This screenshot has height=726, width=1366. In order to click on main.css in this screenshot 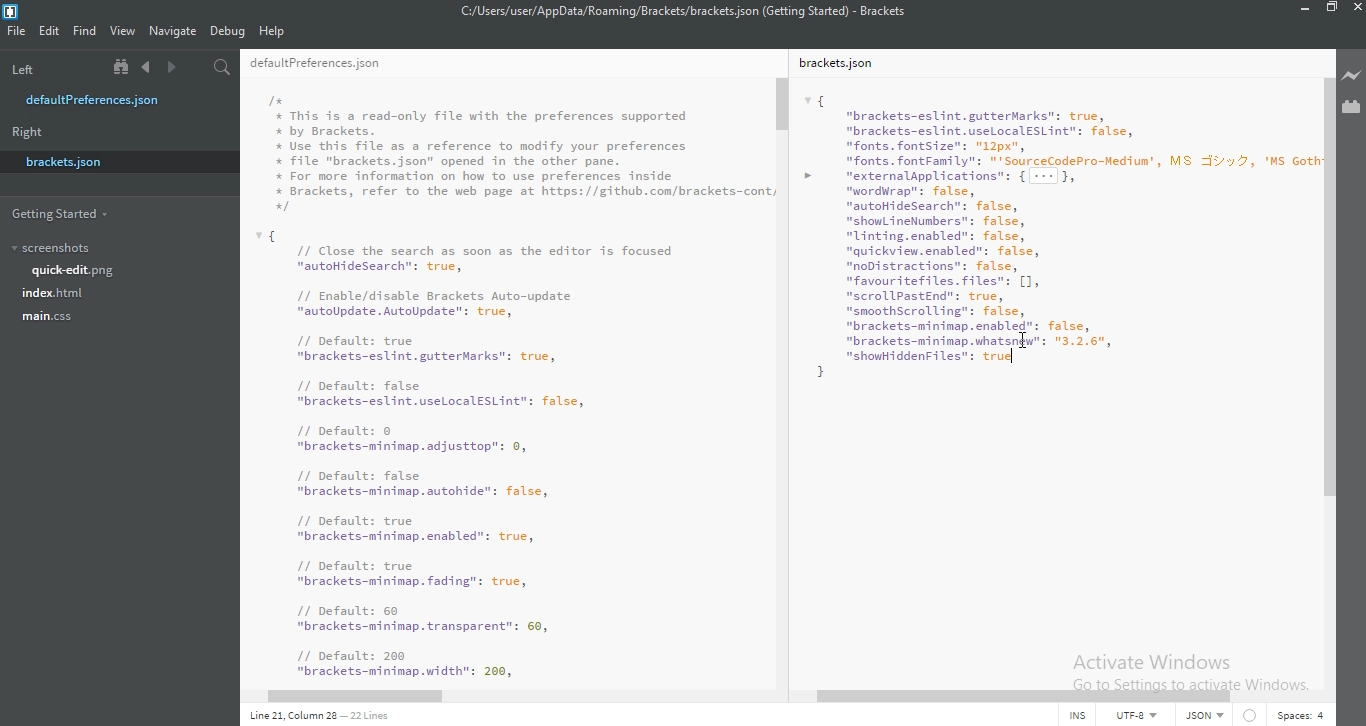, I will do `click(50, 321)`.